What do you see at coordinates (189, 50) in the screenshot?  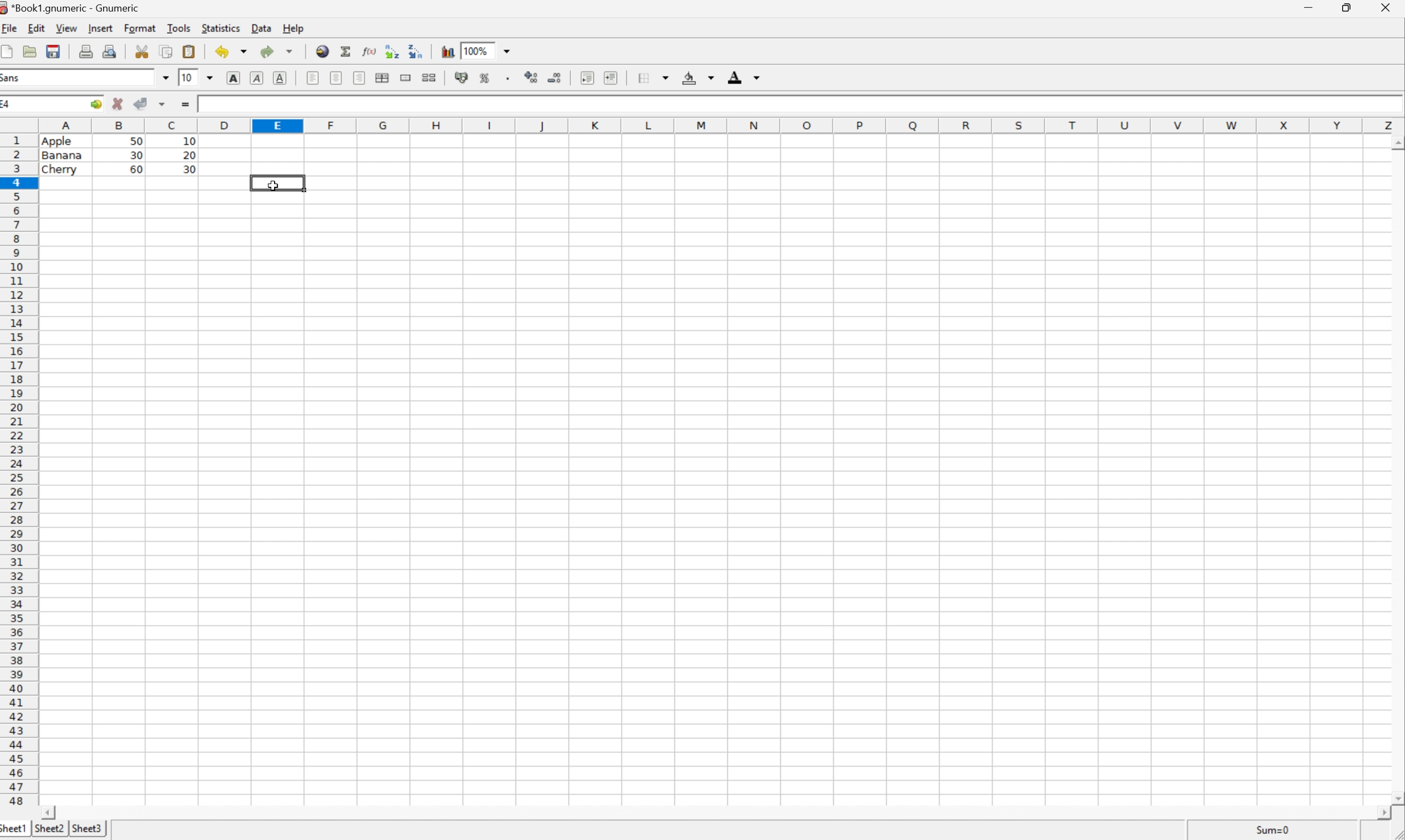 I see `paste` at bounding box center [189, 50].